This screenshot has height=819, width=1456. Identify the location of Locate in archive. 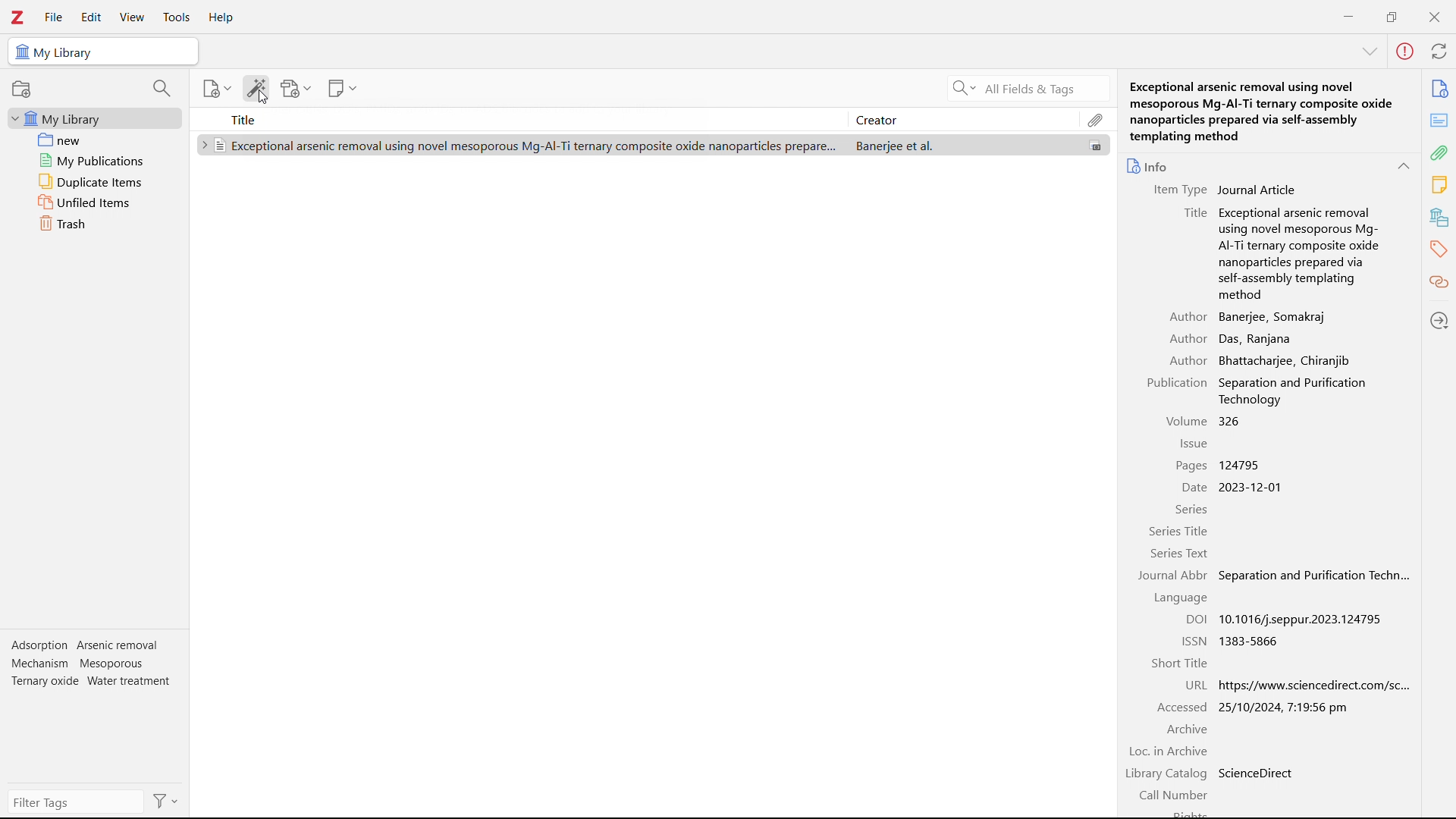
(1169, 752).